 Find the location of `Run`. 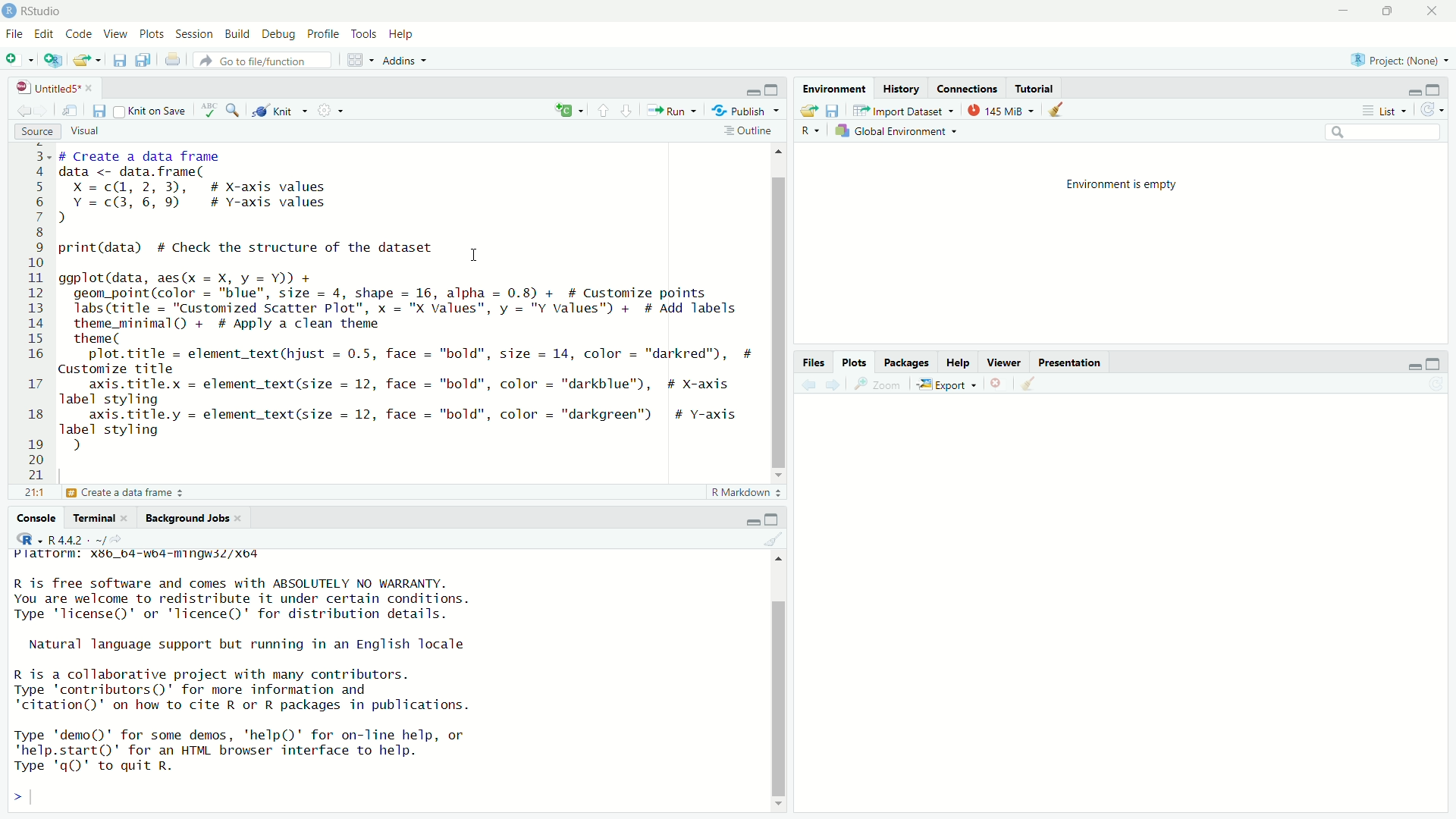

Run is located at coordinates (670, 111).